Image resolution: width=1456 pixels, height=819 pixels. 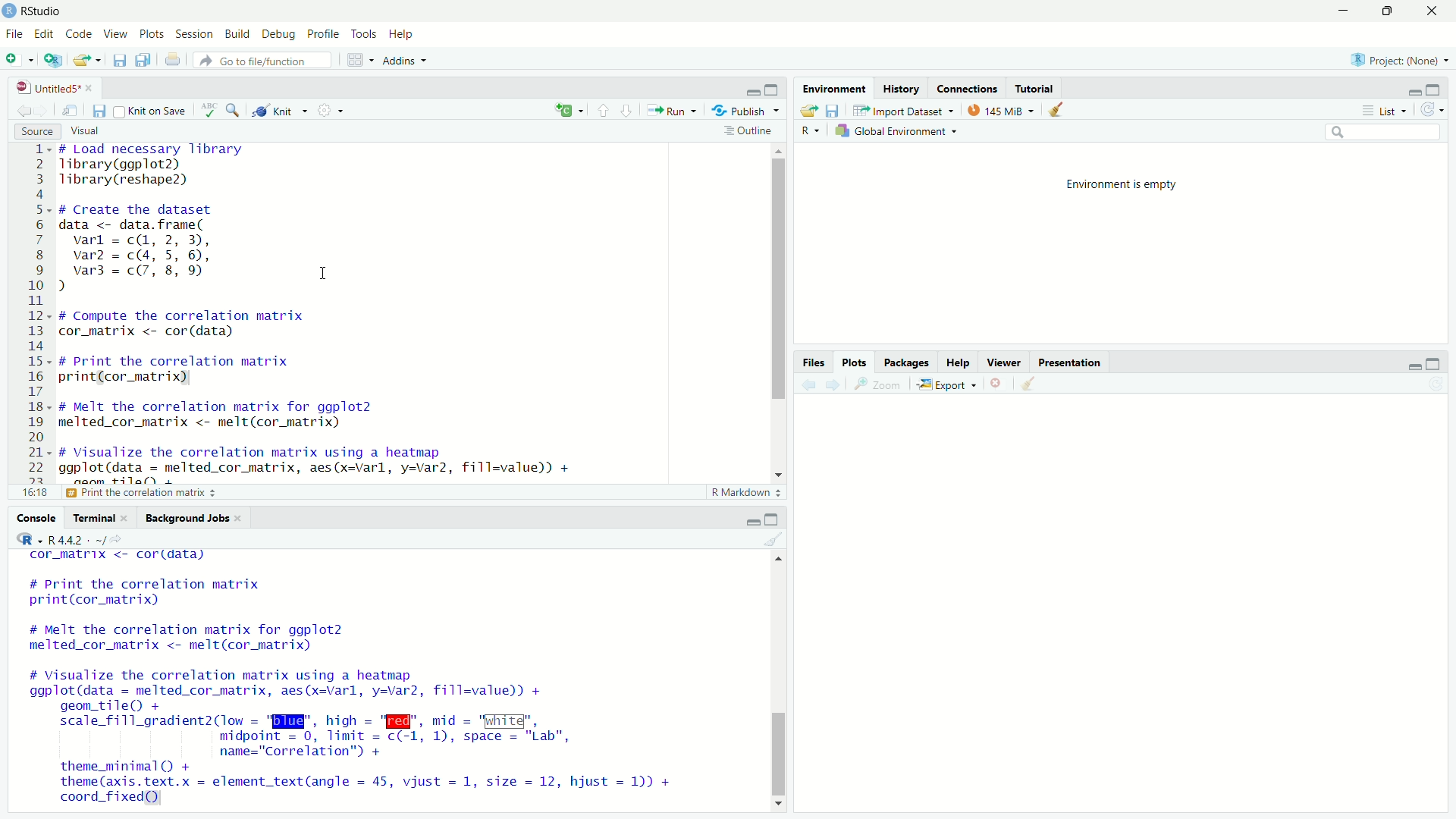 What do you see at coordinates (102, 518) in the screenshot?
I see `terminal` at bounding box center [102, 518].